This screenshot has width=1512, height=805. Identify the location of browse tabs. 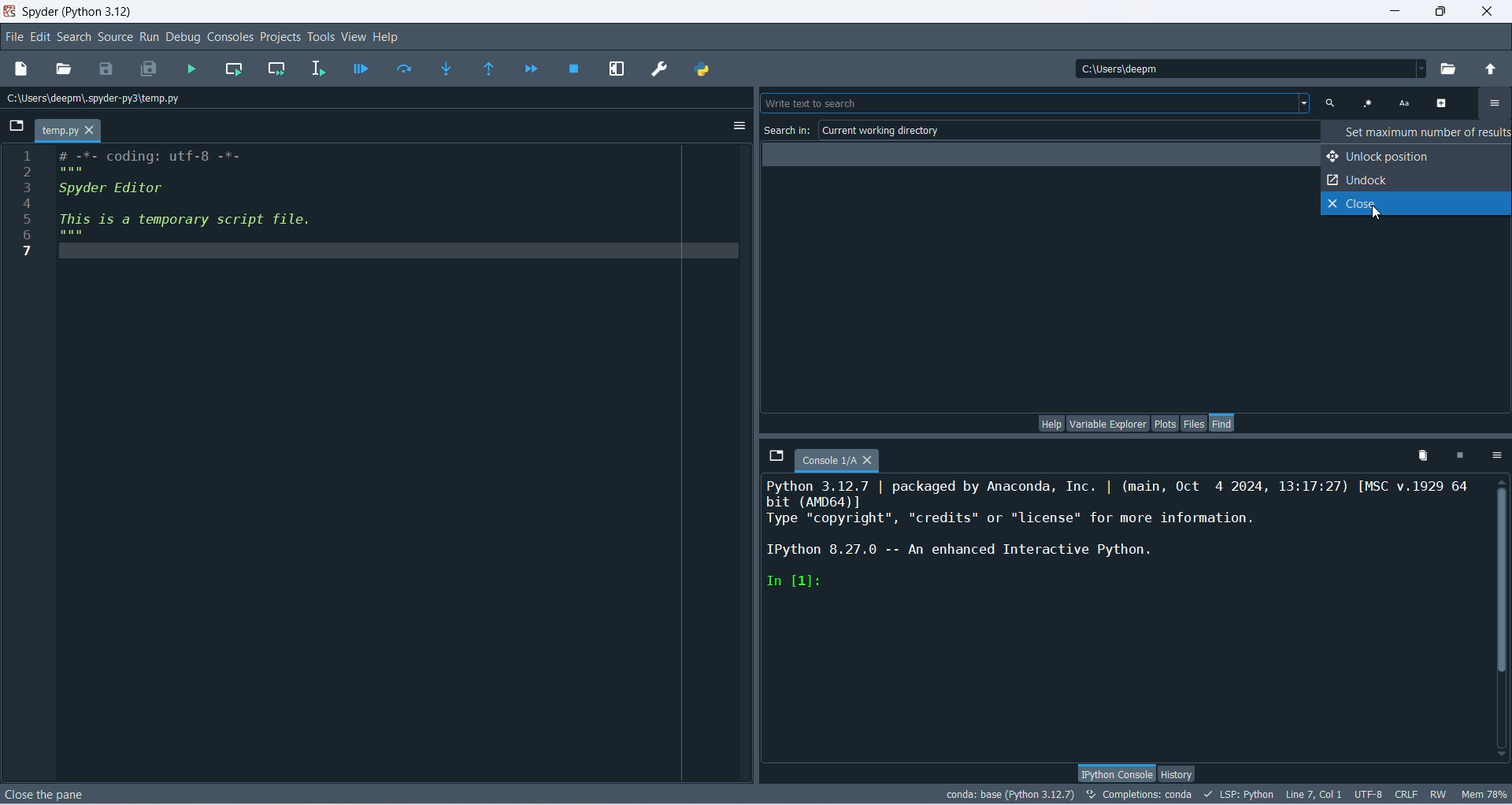
(775, 454).